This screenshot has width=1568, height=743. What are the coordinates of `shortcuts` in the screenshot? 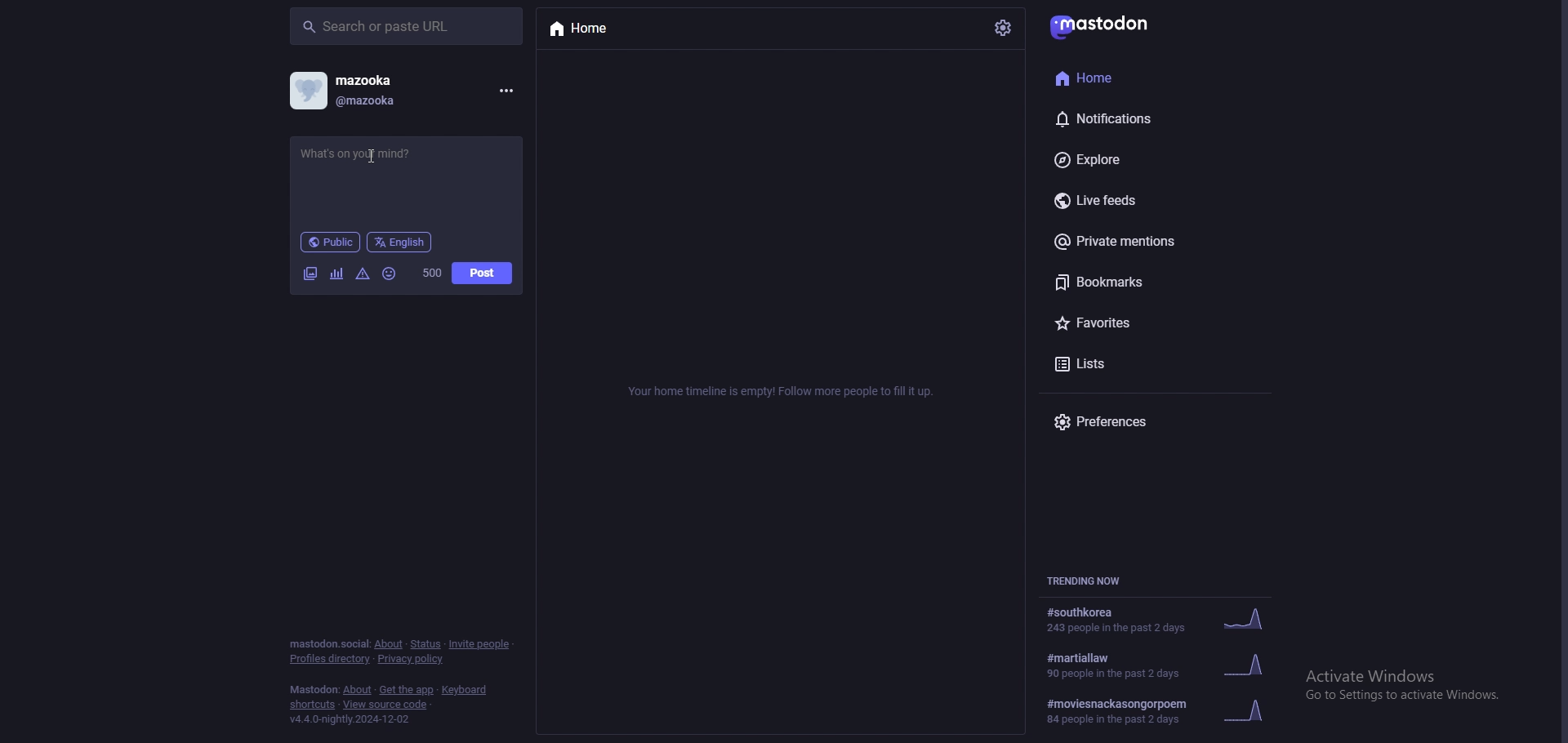 It's located at (311, 705).